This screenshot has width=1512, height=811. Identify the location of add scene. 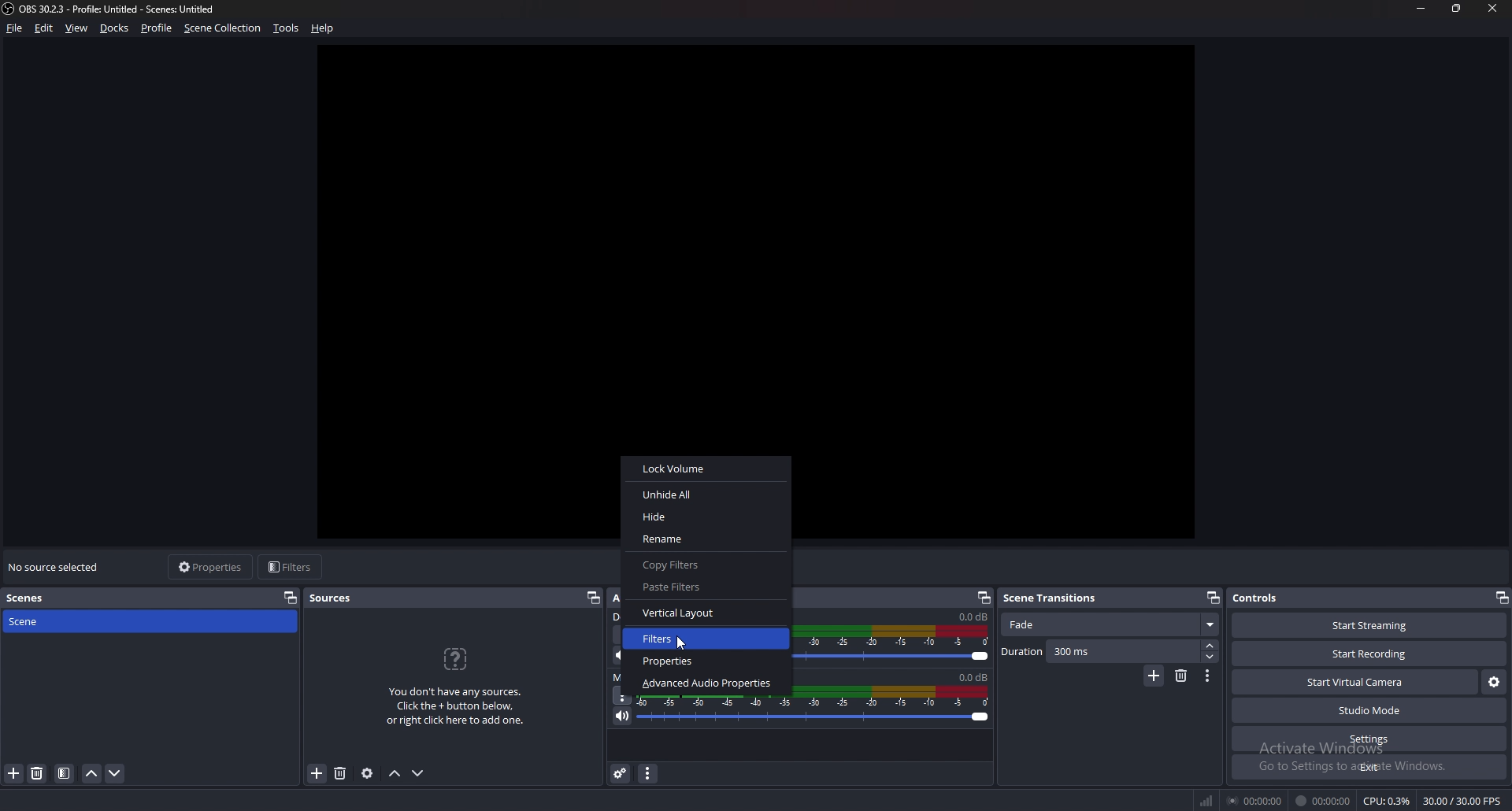
(14, 773).